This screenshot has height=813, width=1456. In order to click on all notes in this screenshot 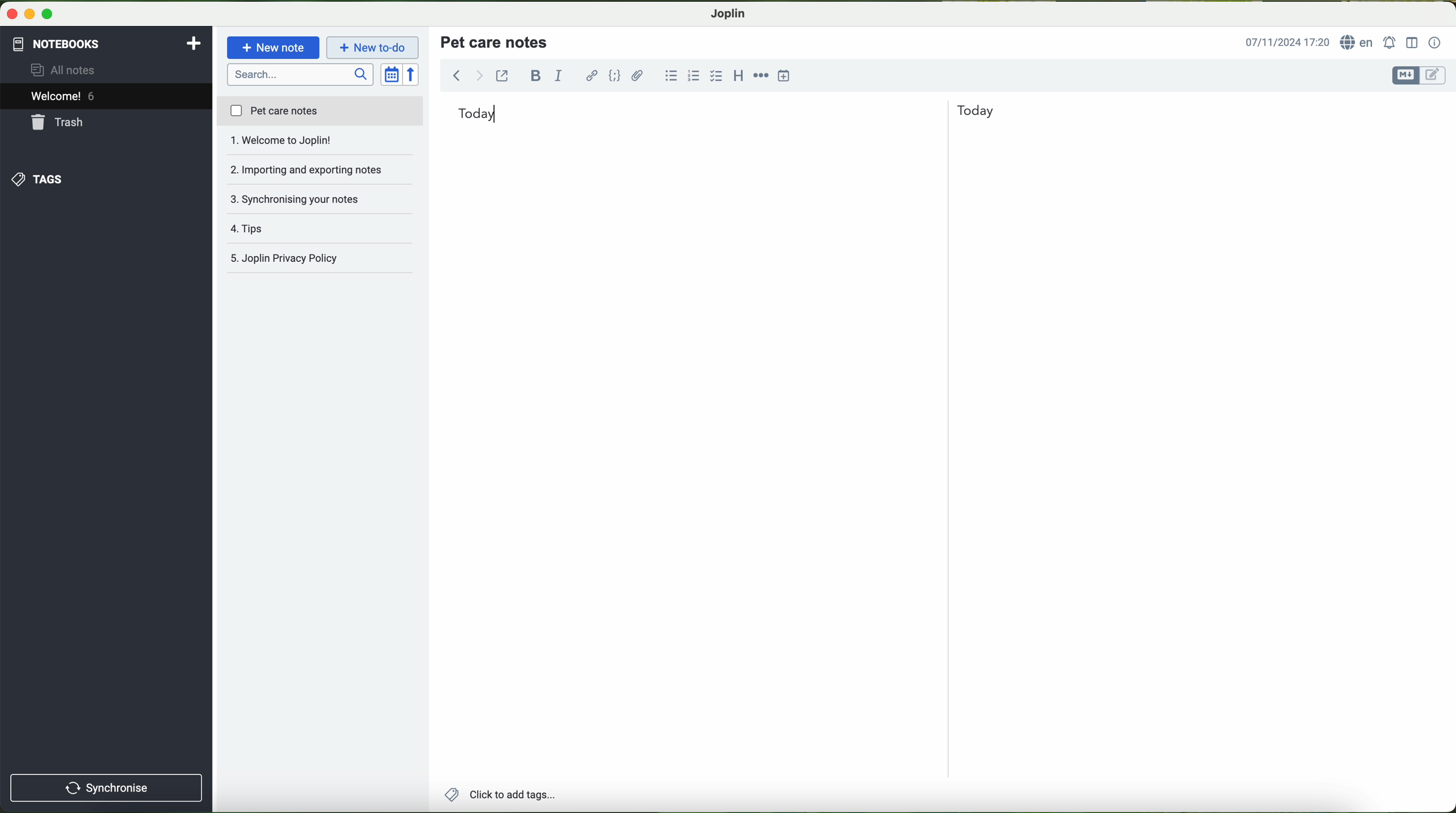, I will do `click(66, 71)`.